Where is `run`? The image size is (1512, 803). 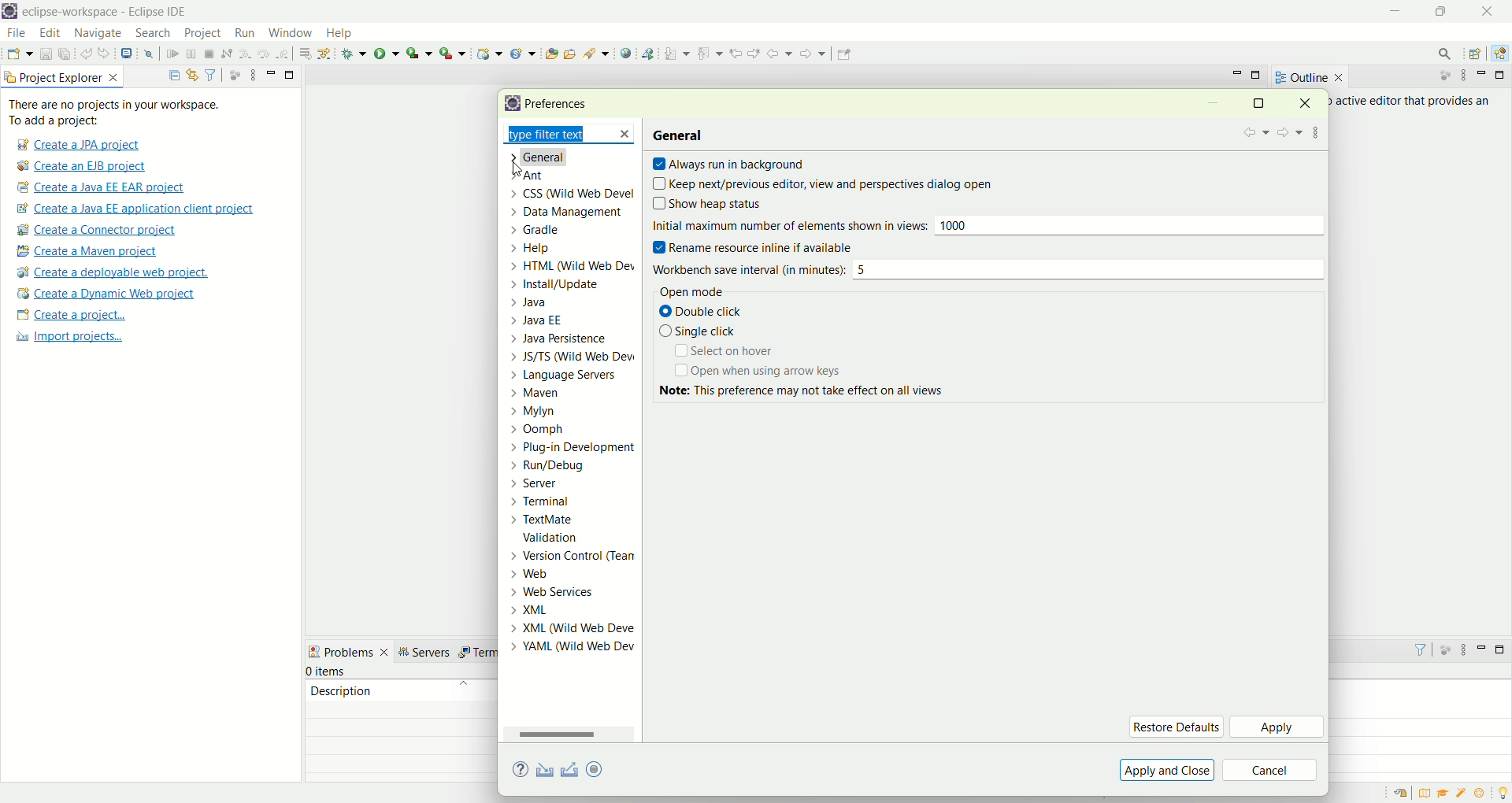
run is located at coordinates (243, 32).